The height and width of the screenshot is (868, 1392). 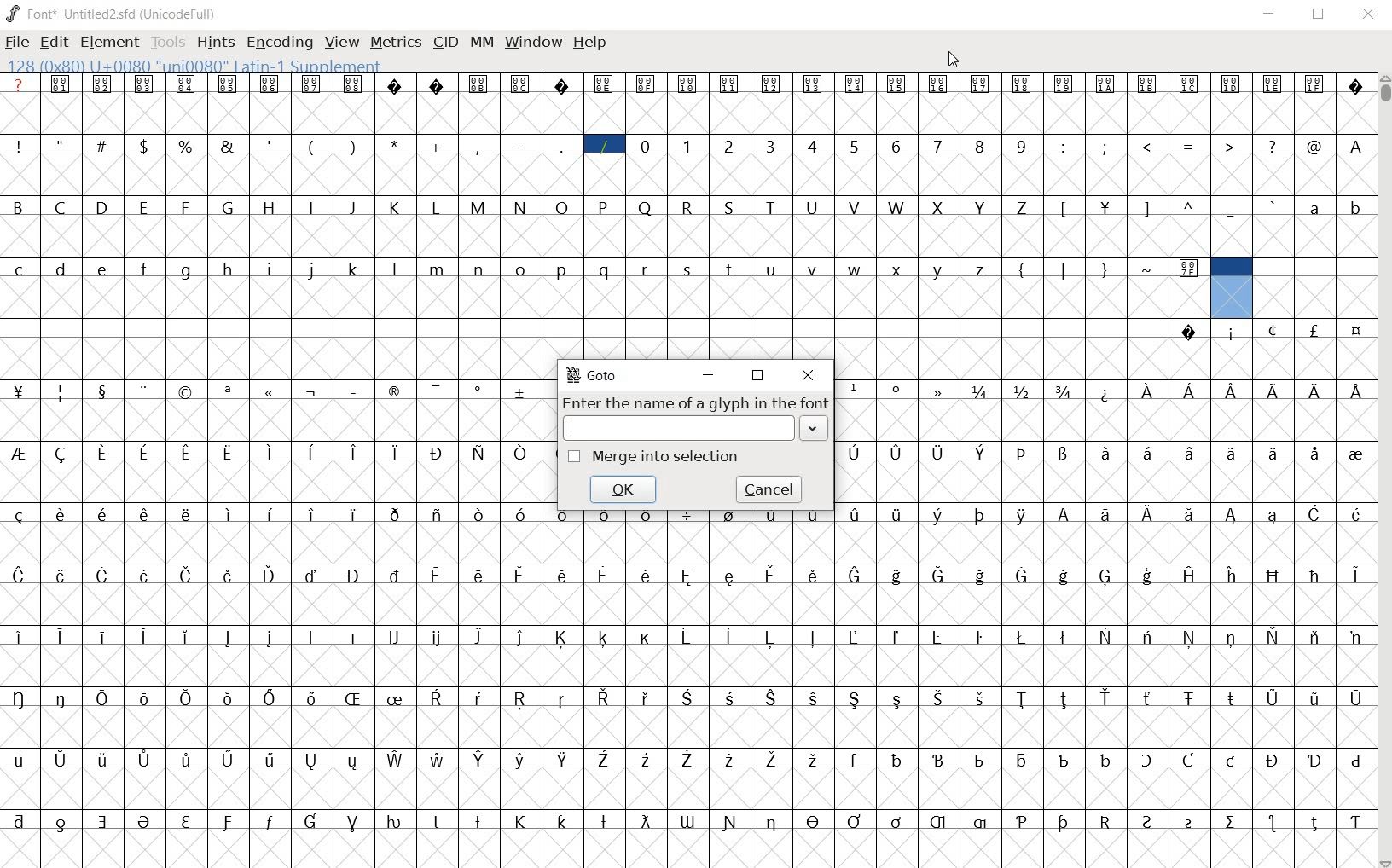 I want to click on Symbol, so click(x=896, y=512).